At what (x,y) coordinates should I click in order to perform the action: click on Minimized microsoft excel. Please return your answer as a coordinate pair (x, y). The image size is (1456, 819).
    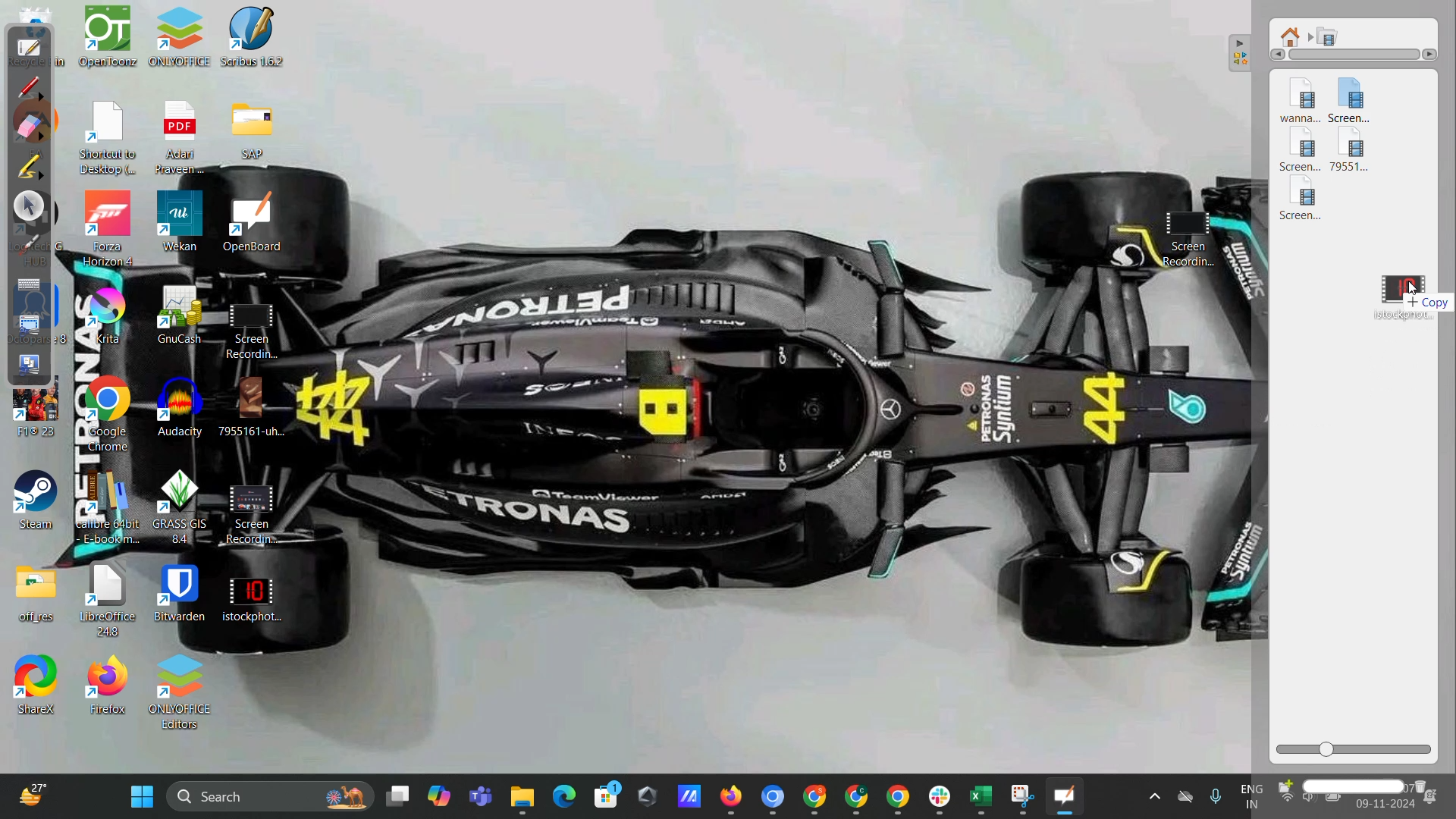
    Looking at the image, I should click on (979, 797).